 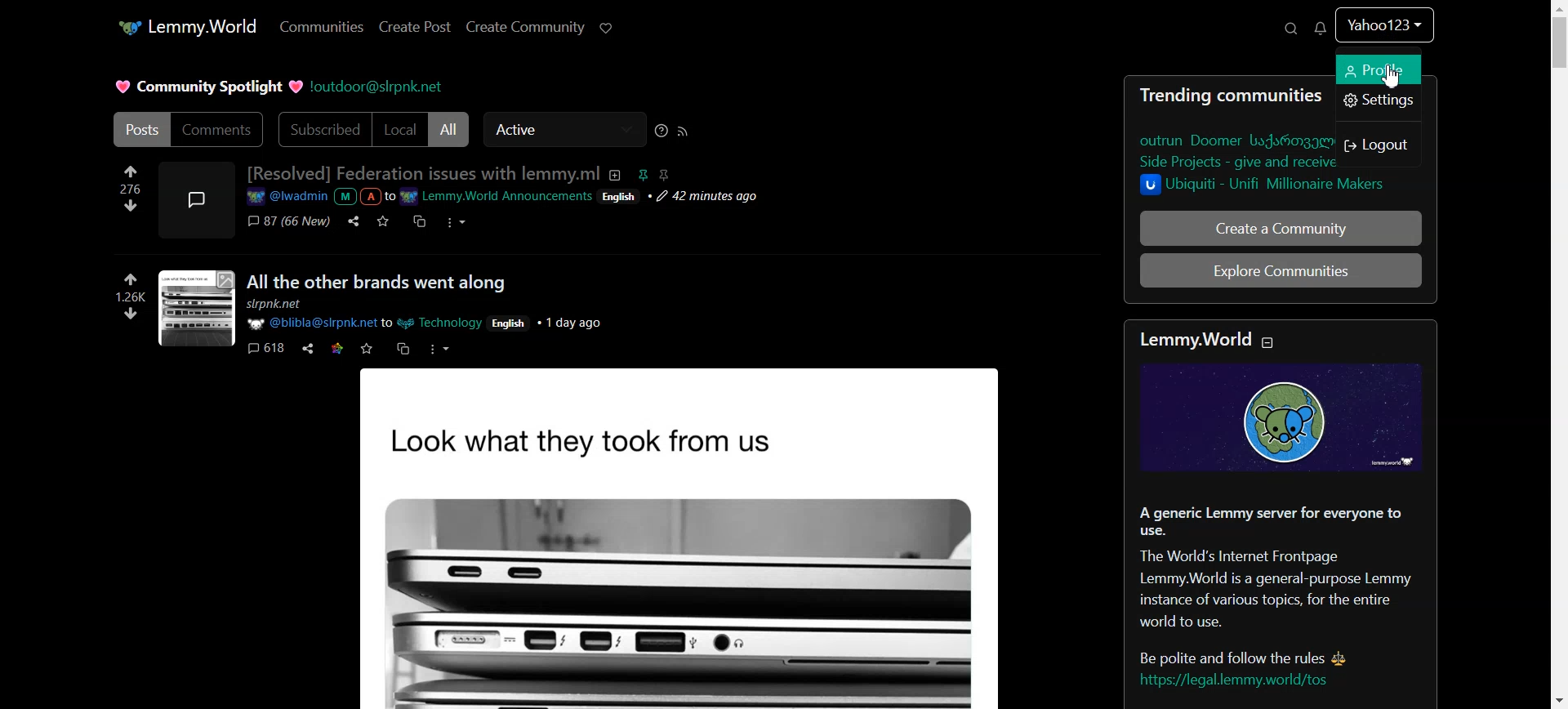 I want to click on description, so click(x=613, y=174).